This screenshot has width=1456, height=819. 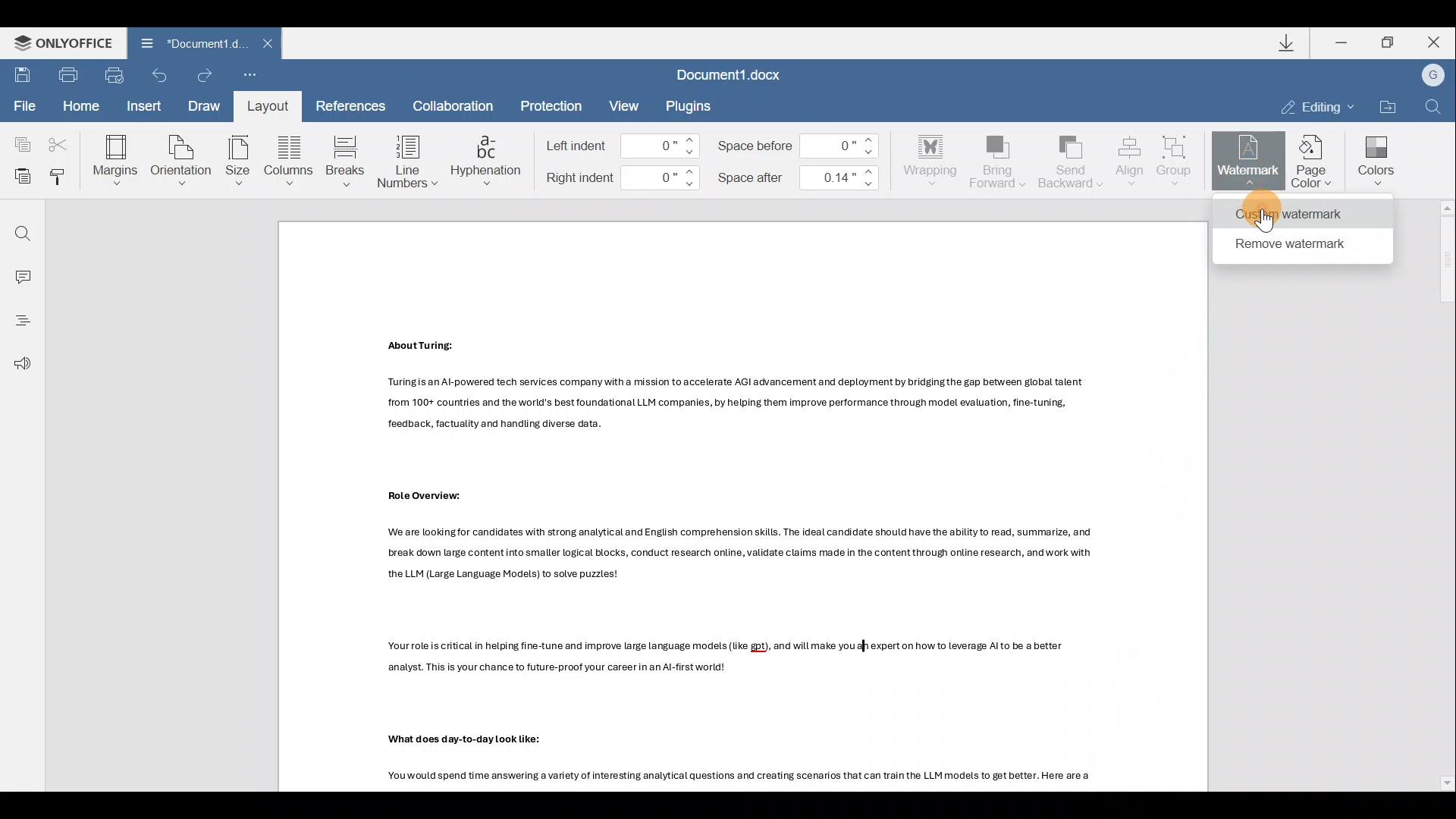 What do you see at coordinates (115, 74) in the screenshot?
I see `Quick print` at bounding box center [115, 74].